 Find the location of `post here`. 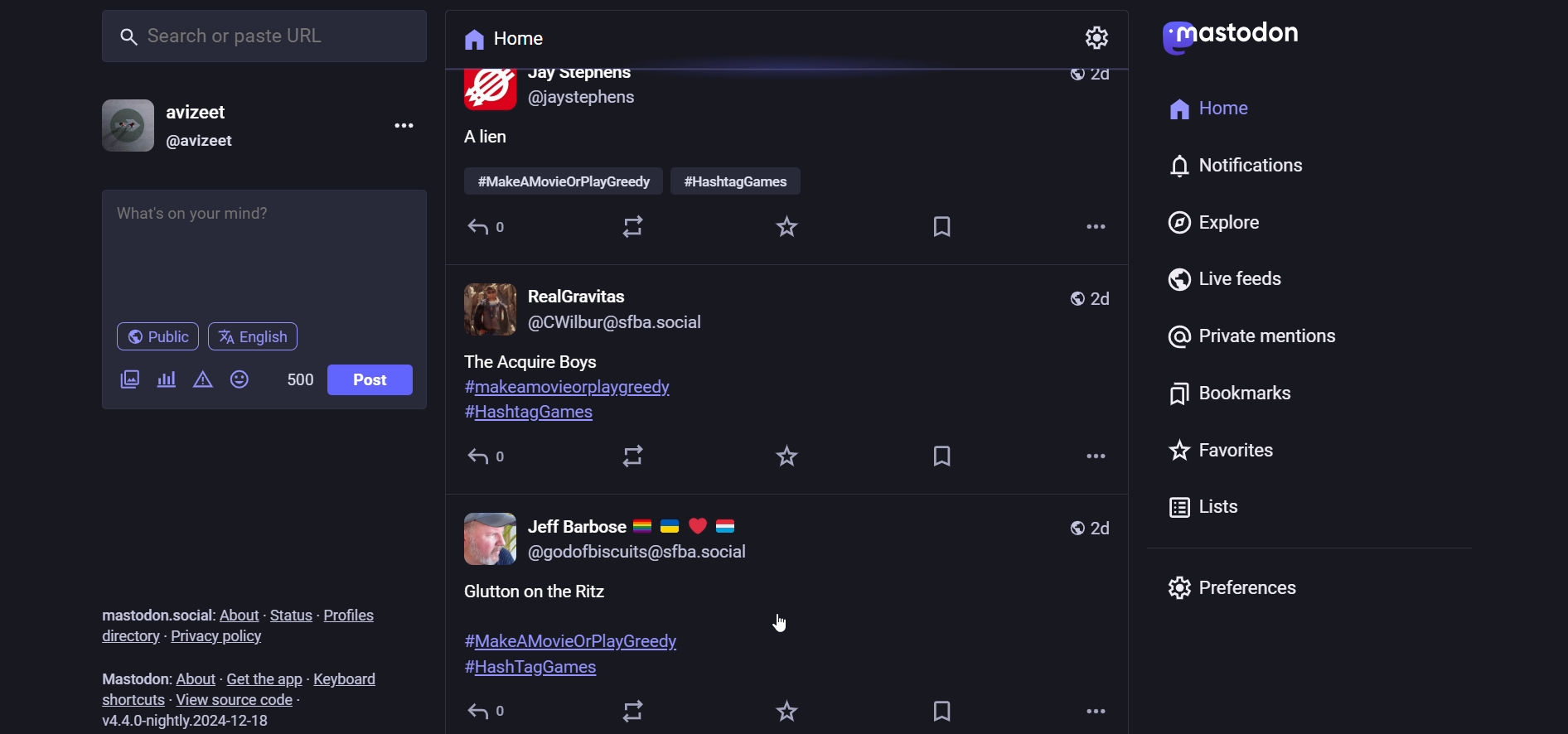

post here is located at coordinates (258, 249).